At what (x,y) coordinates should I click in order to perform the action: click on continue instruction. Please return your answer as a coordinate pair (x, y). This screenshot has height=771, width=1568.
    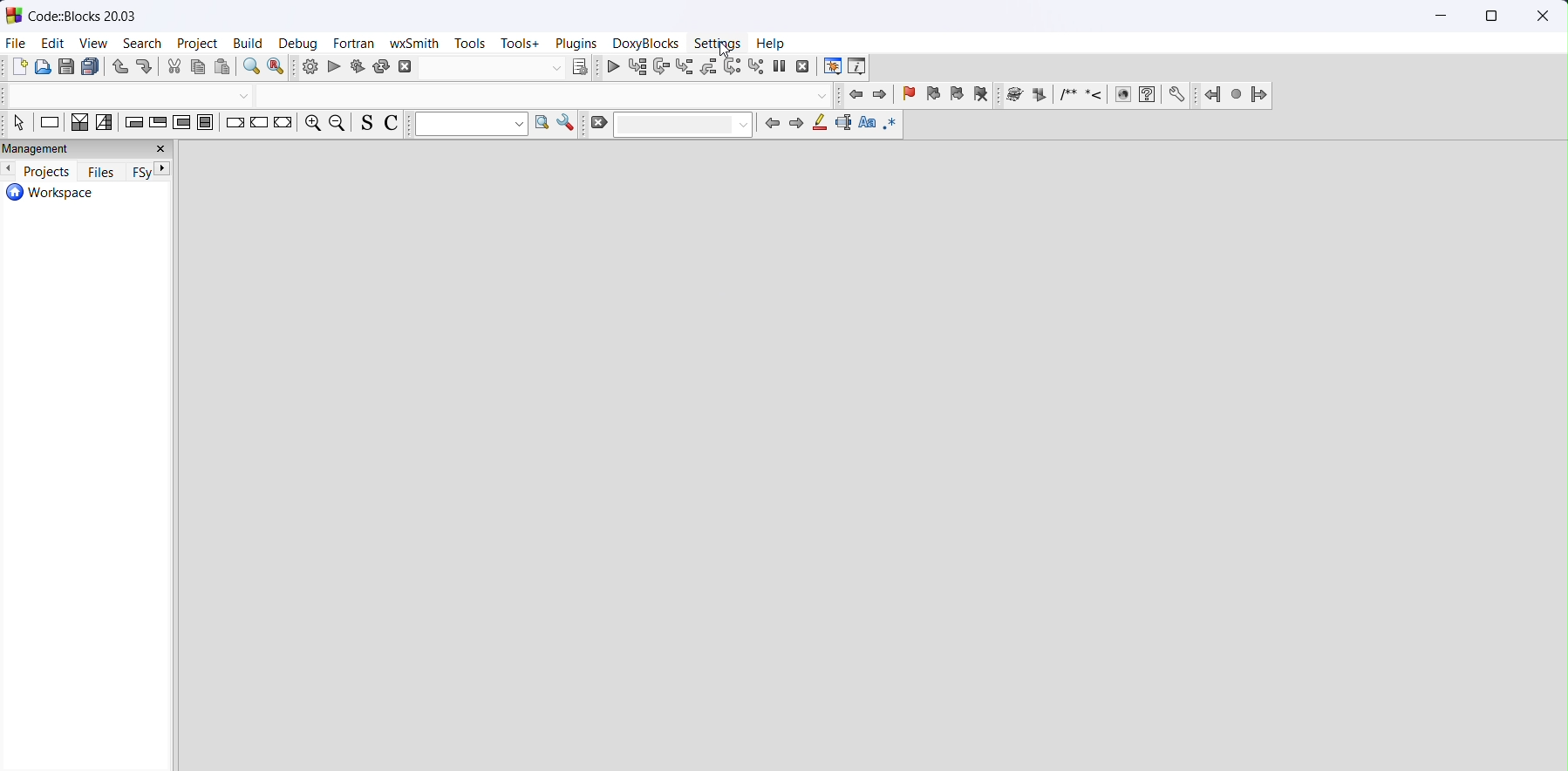
    Looking at the image, I should click on (260, 124).